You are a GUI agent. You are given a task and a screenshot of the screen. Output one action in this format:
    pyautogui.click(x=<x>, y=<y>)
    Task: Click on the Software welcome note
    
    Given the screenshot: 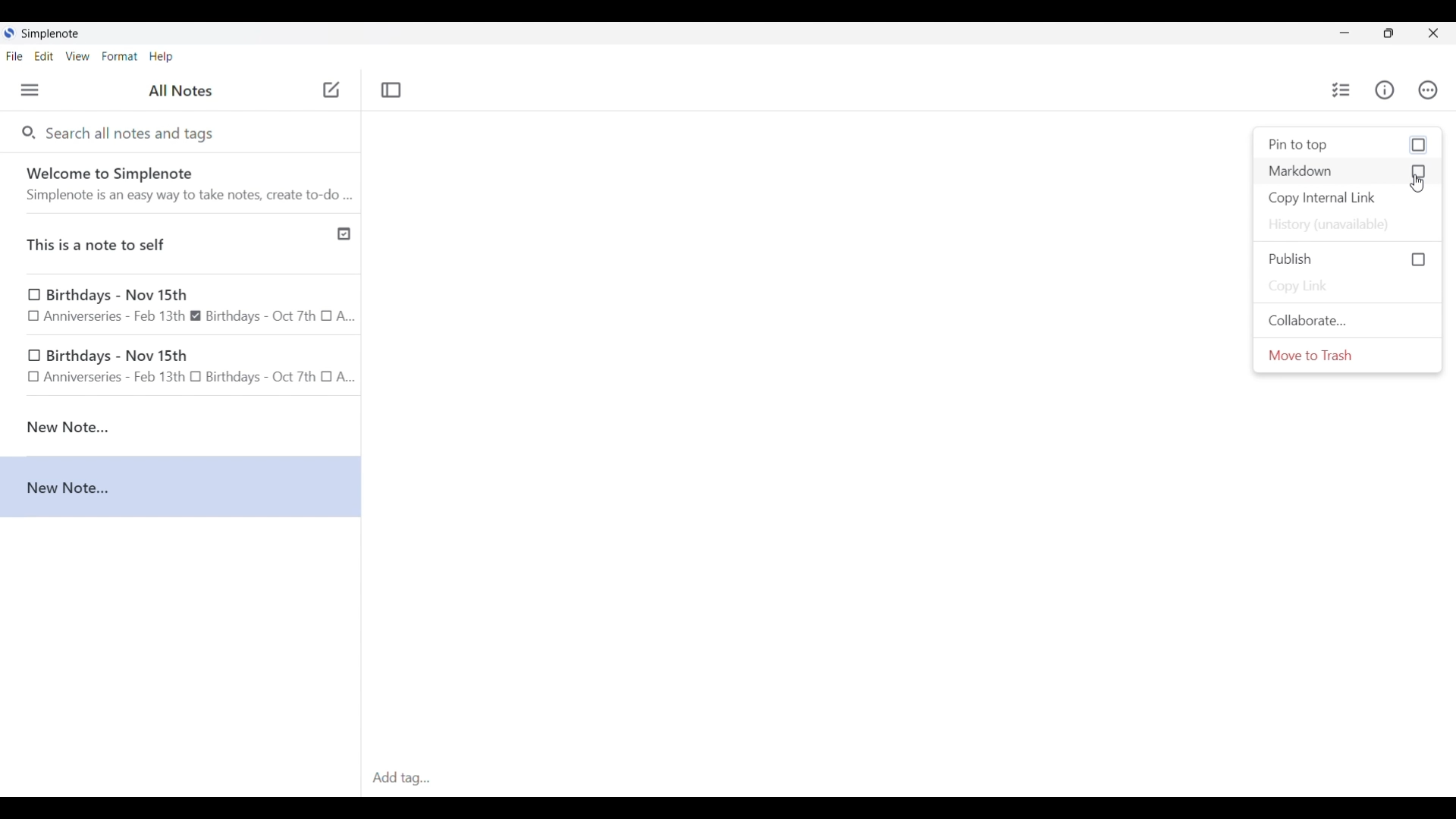 What is the action you would take?
    pyautogui.click(x=184, y=183)
    